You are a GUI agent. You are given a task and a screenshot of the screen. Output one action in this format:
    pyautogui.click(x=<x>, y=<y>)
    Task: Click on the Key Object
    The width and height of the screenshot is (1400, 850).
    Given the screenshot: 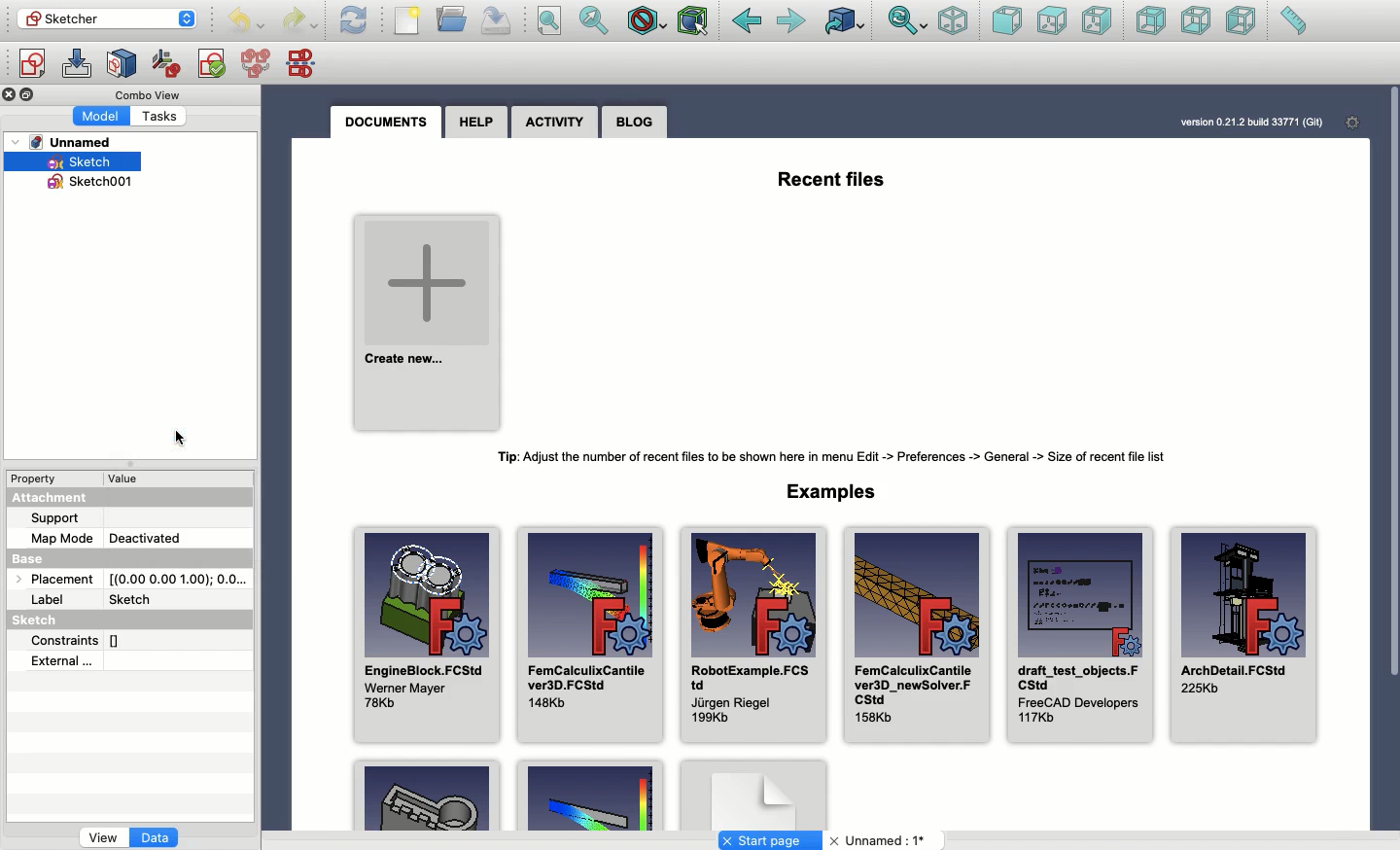 What is the action you would take?
    pyautogui.click(x=427, y=794)
    